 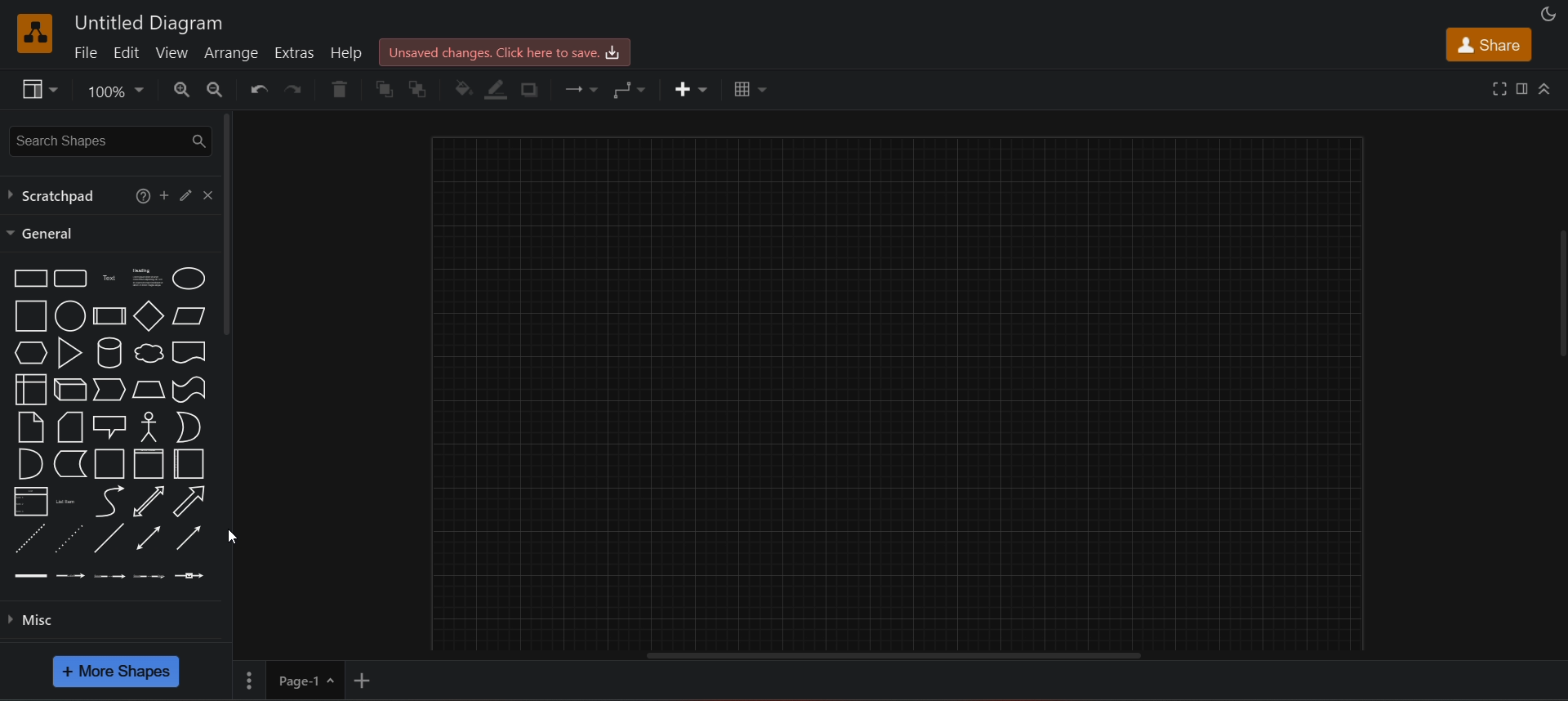 What do you see at coordinates (258, 89) in the screenshot?
I see `undo` at bounding box center [258, 89].